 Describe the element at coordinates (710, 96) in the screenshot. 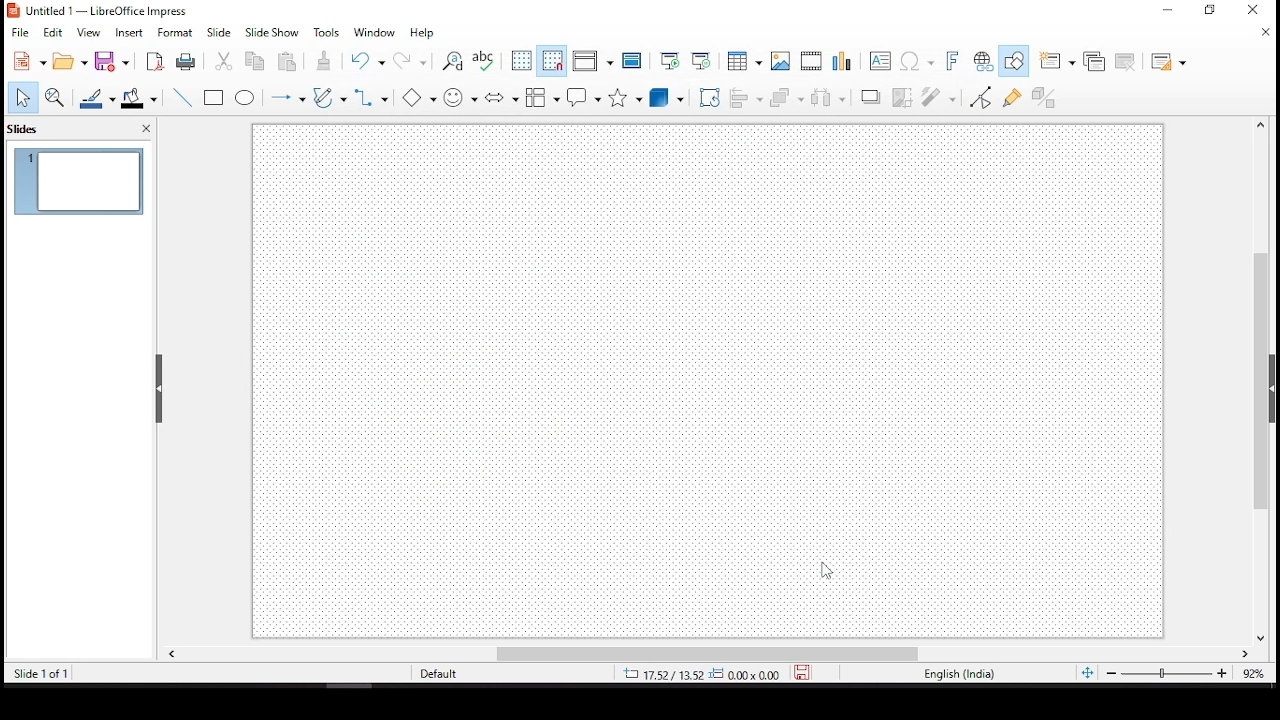

I see `rotate` at that location.